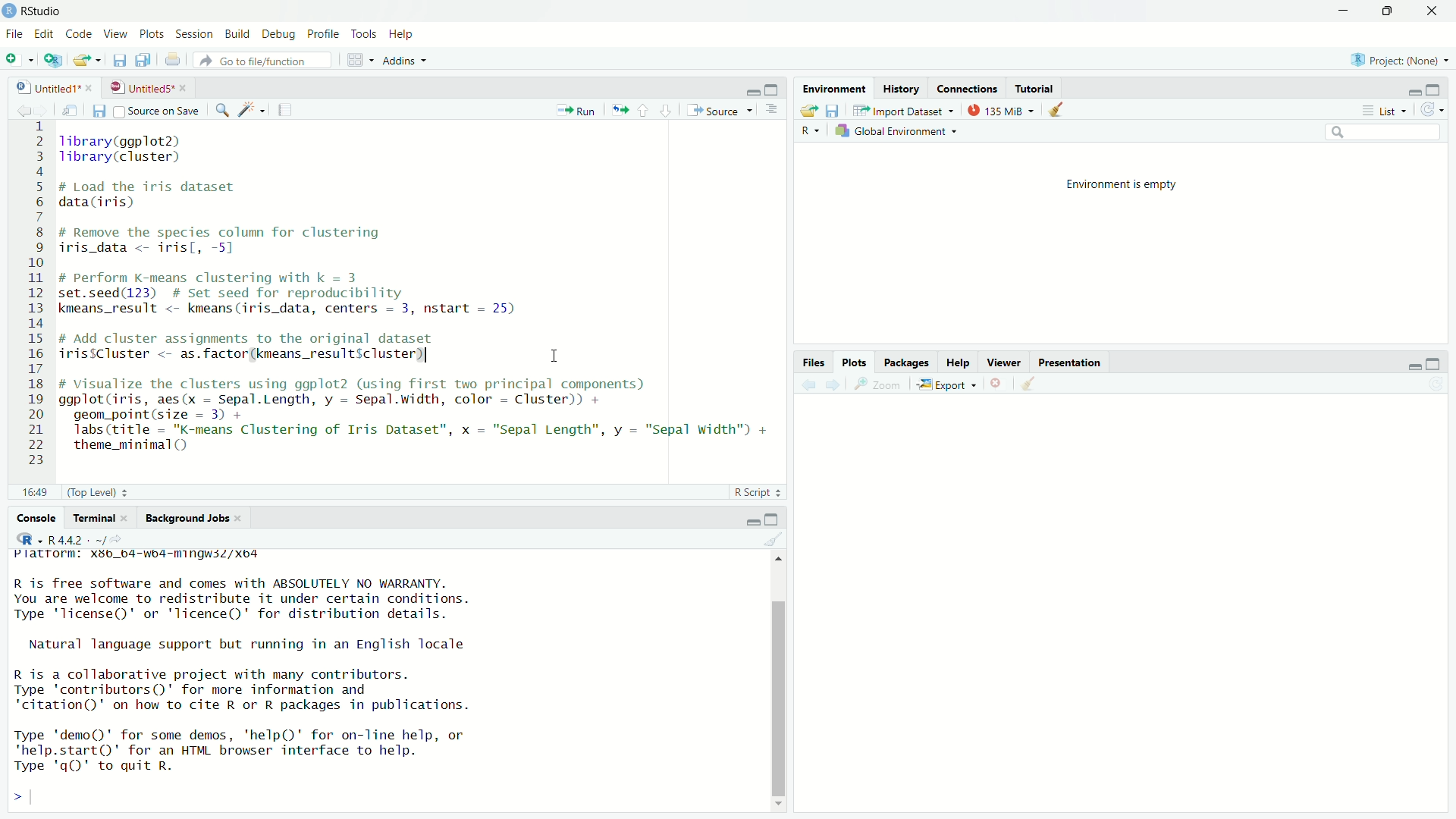 The image size is (1456, 819). What do you see at coordinates (1397, 62) in the screenshot?
I see `project: (none)` at bounding box center [1397, 62].